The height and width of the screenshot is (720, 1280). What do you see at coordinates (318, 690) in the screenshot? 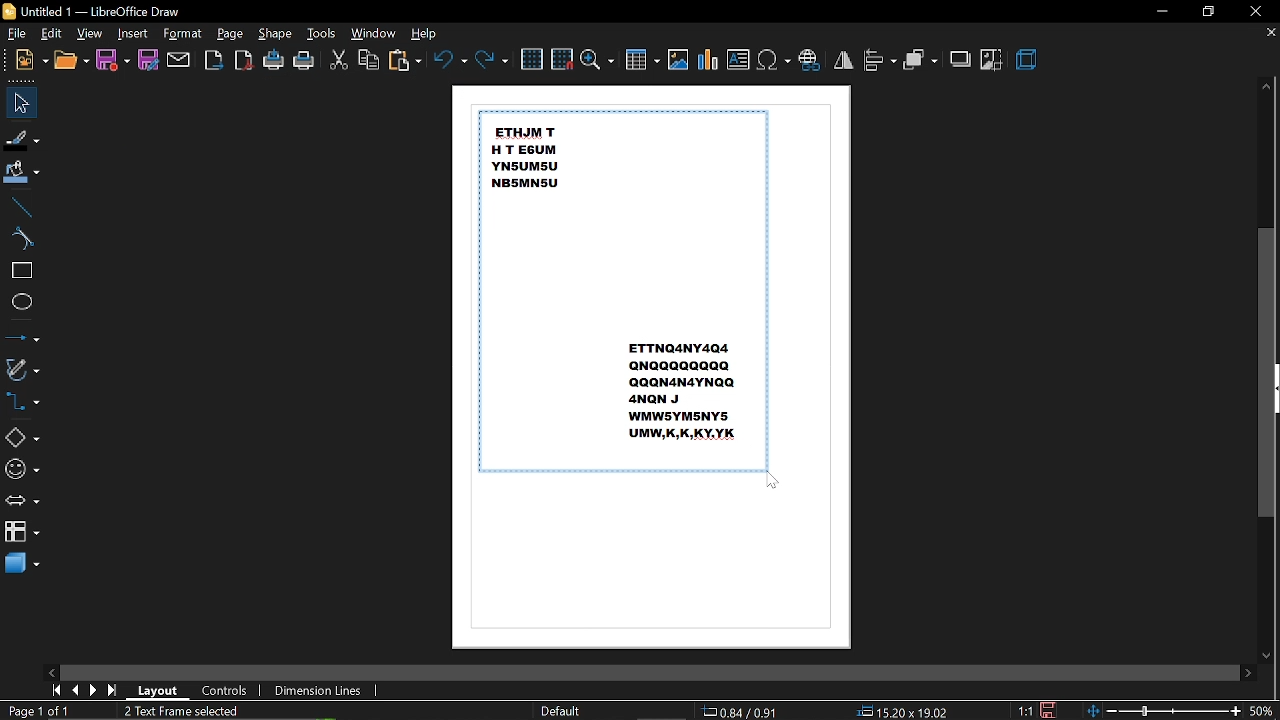
I see `dimension lines` at bounding box center [318, 690].